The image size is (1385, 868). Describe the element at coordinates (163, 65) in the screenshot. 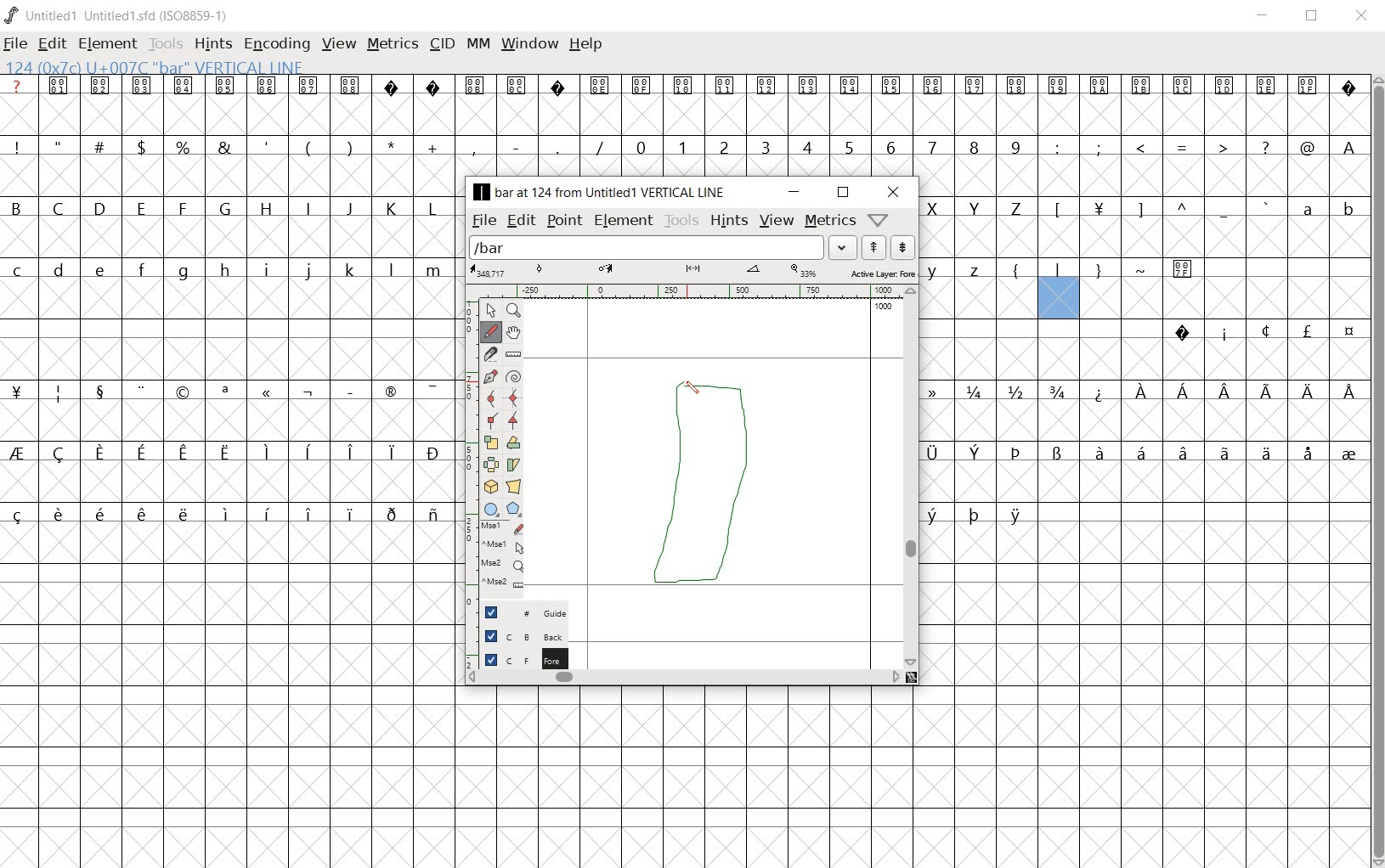

I see `124(0*7c)U+007c"bar"Vertical Line` at that location.